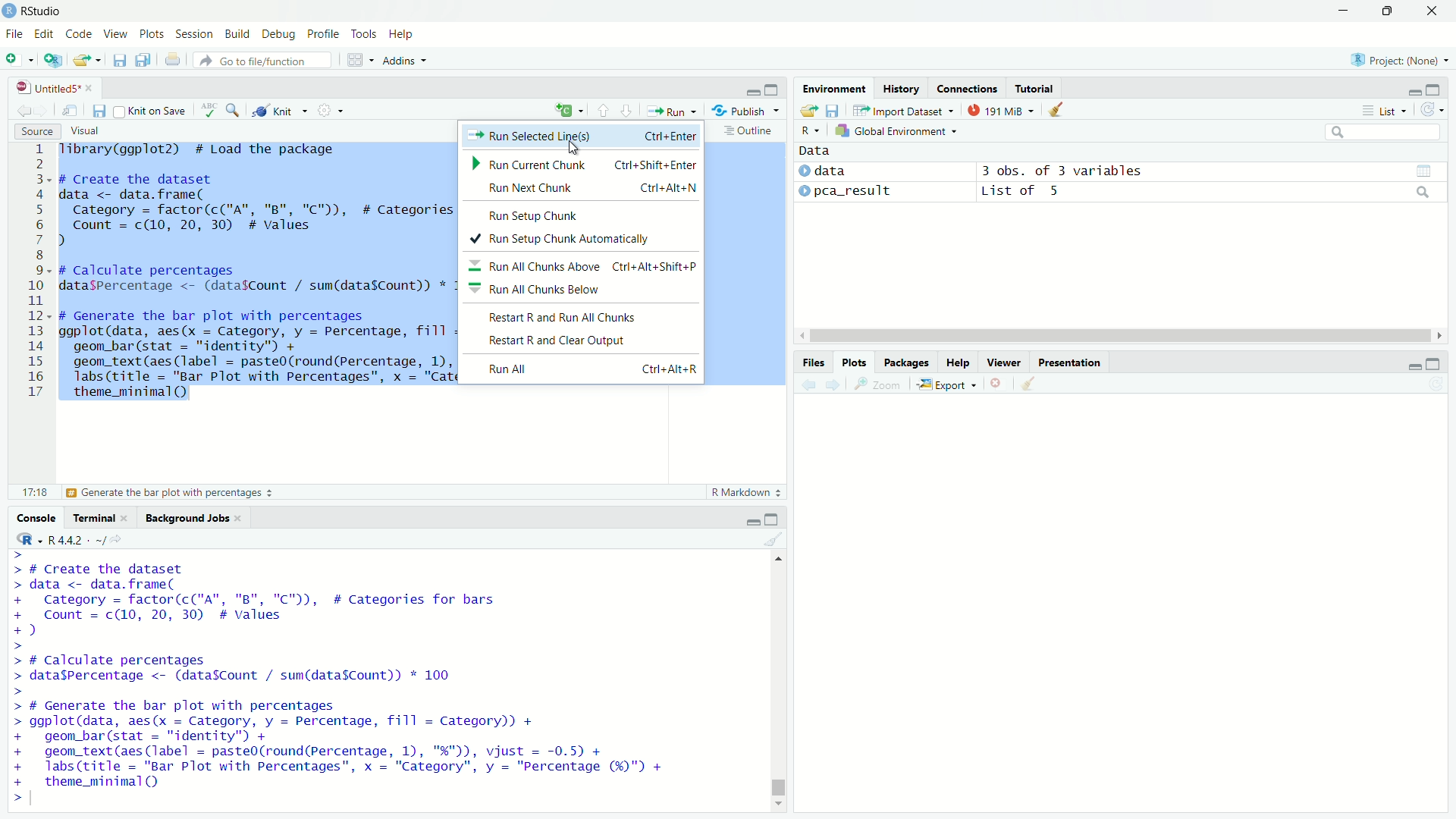  What do you see at coordinates (146, 60) in the screenshot?
I see `save all` at bounding box center [146, 60].